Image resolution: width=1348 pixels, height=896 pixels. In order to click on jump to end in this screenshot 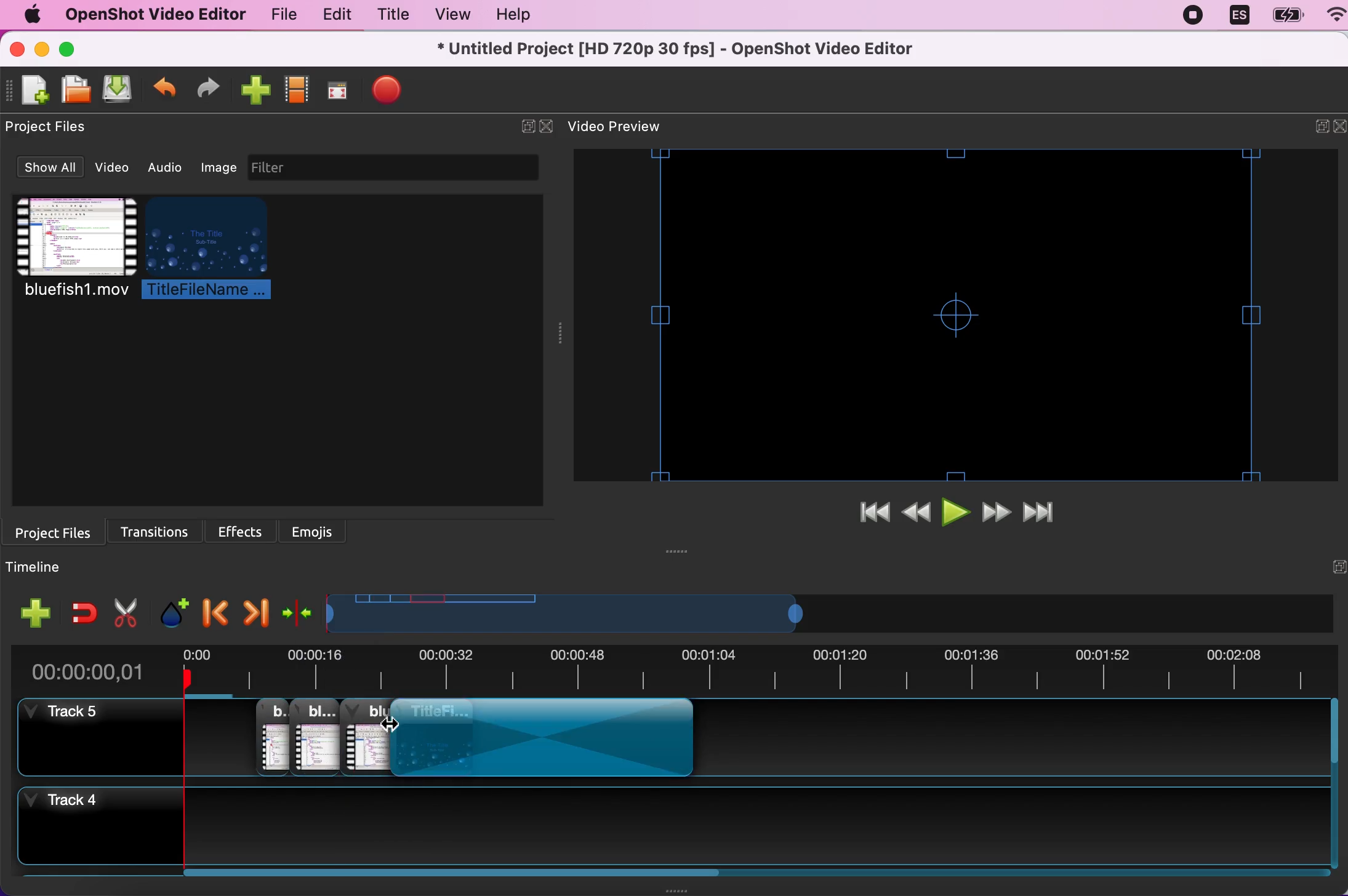, I will do `click(1046, 514)`.